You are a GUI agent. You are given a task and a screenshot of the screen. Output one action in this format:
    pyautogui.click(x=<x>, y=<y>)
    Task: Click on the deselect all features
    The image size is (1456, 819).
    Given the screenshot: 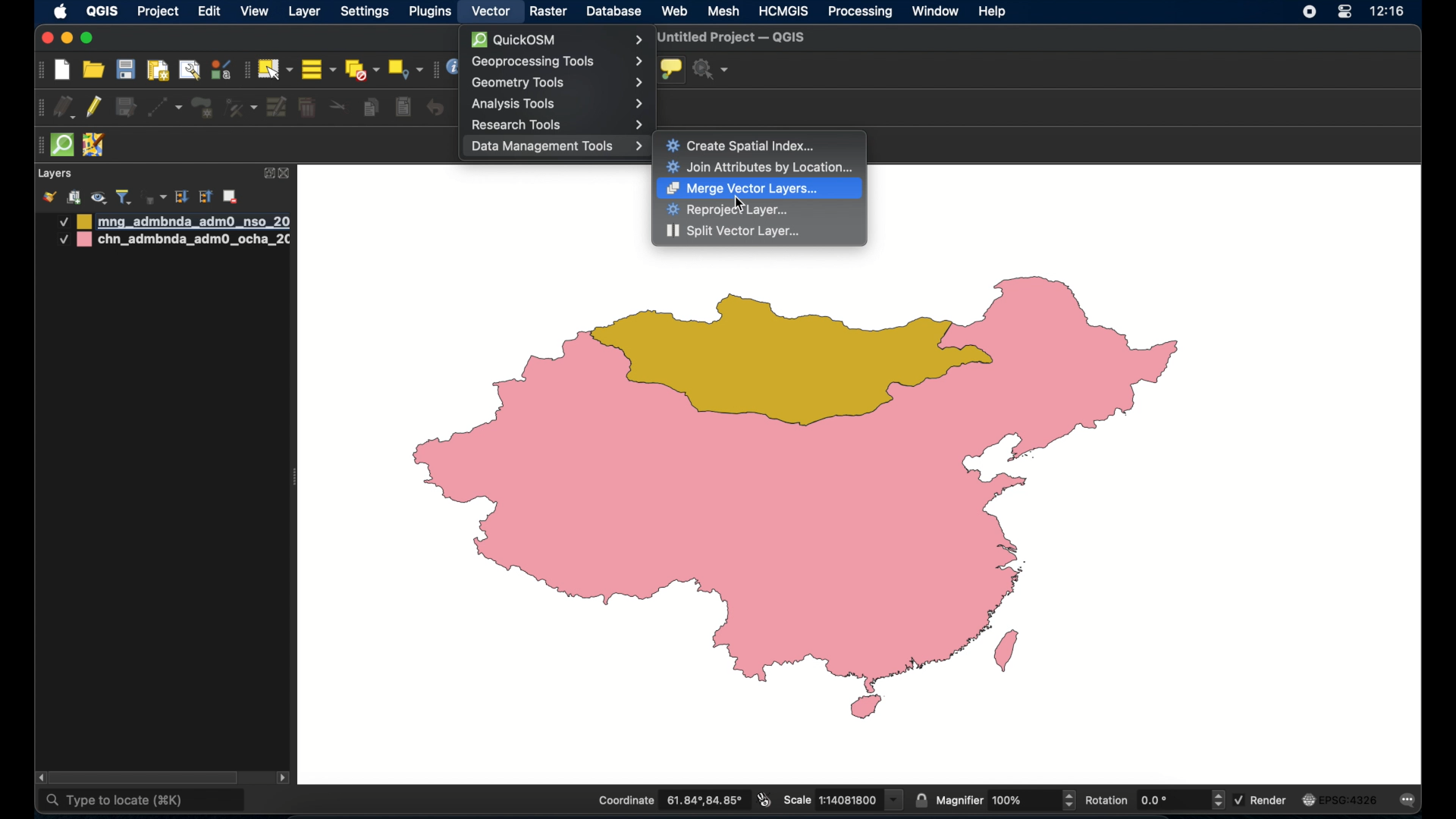 What is the action you would take?
    pyautogui.click(x=362, y=71)
    